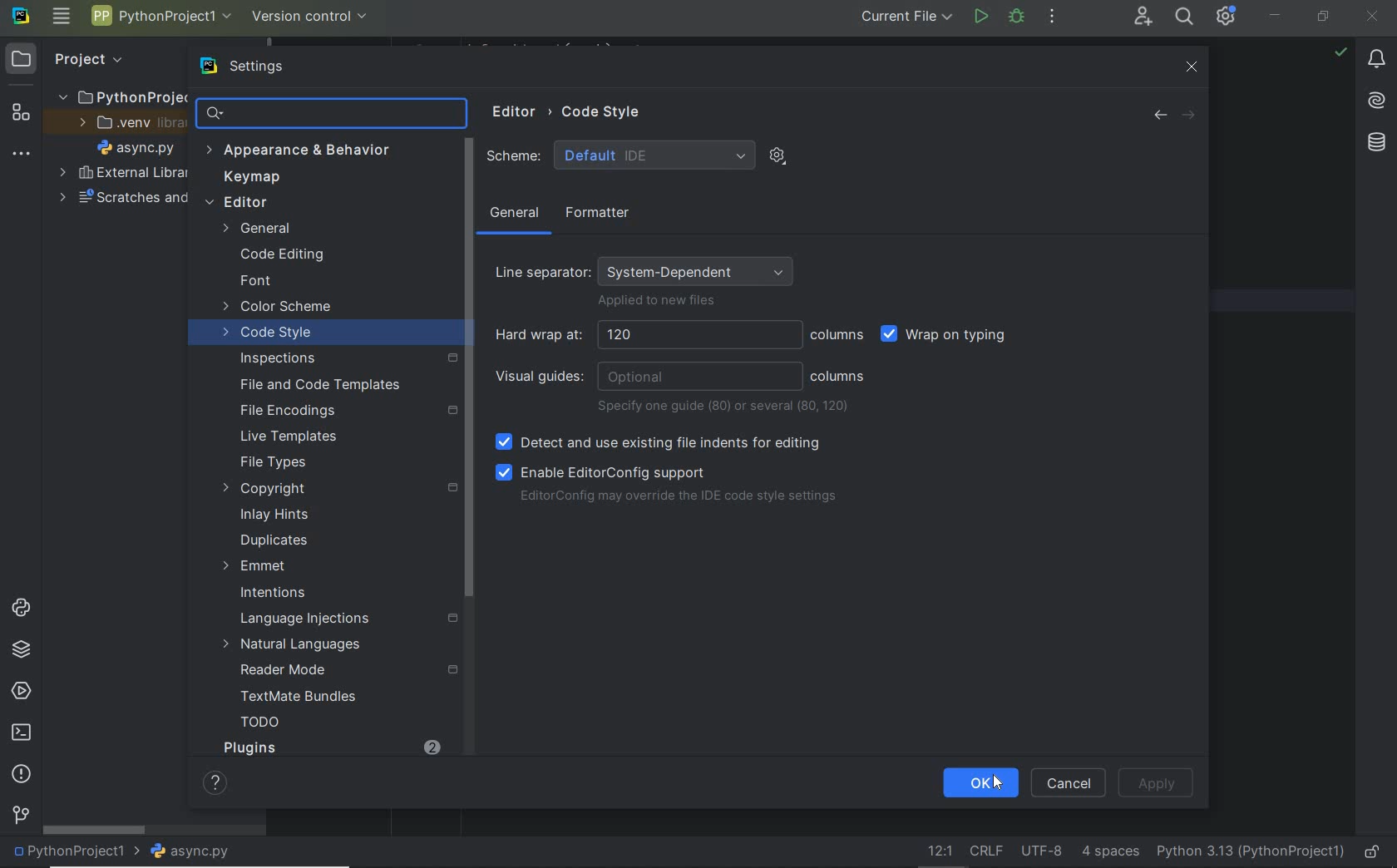 This screenshot has width=1397, height=868. Describe the element at coordinates (310, 151) in the screenshot. I see `Appearance & behavior` at that location.